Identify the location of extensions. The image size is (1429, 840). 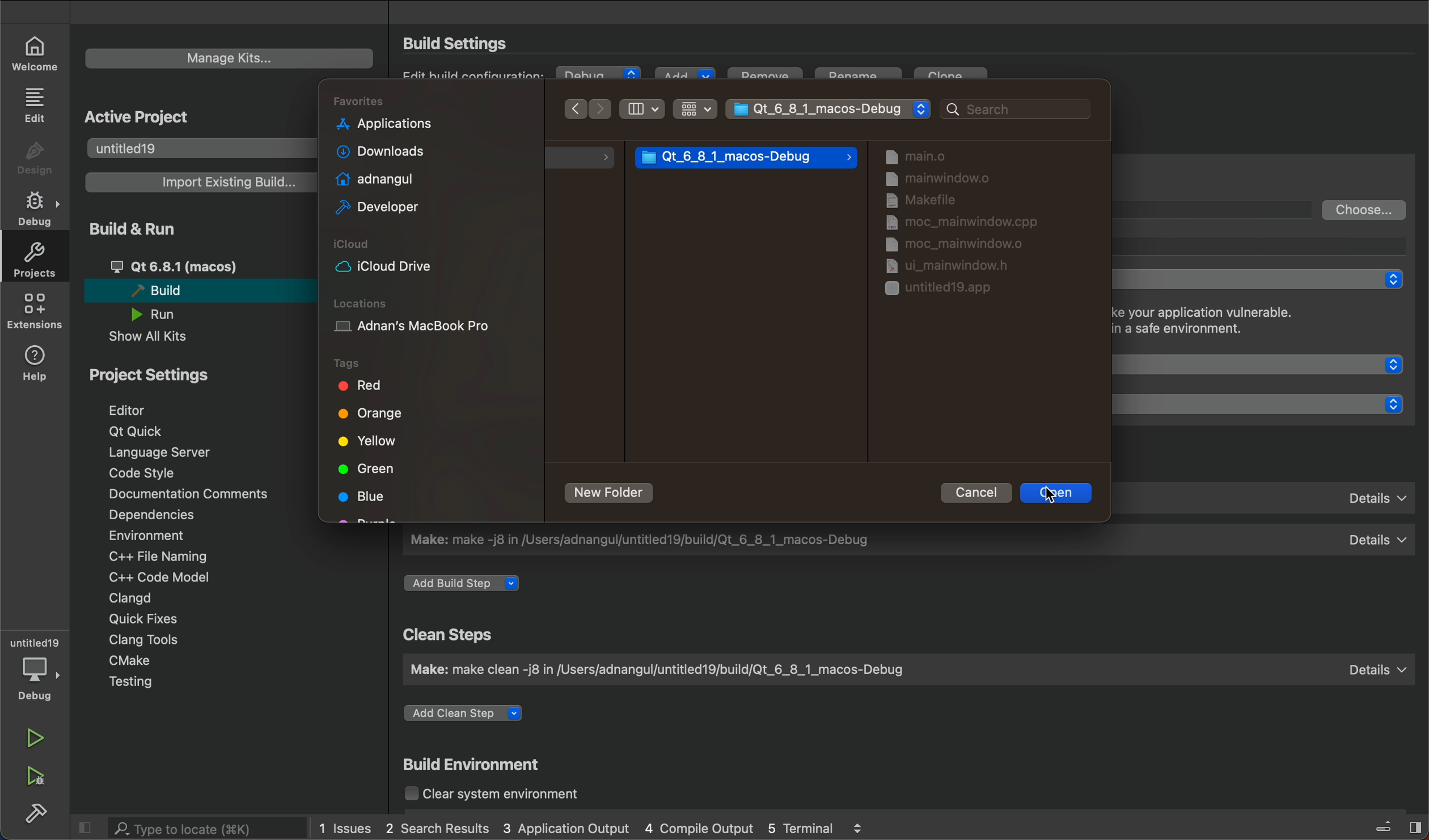
(34, 311).